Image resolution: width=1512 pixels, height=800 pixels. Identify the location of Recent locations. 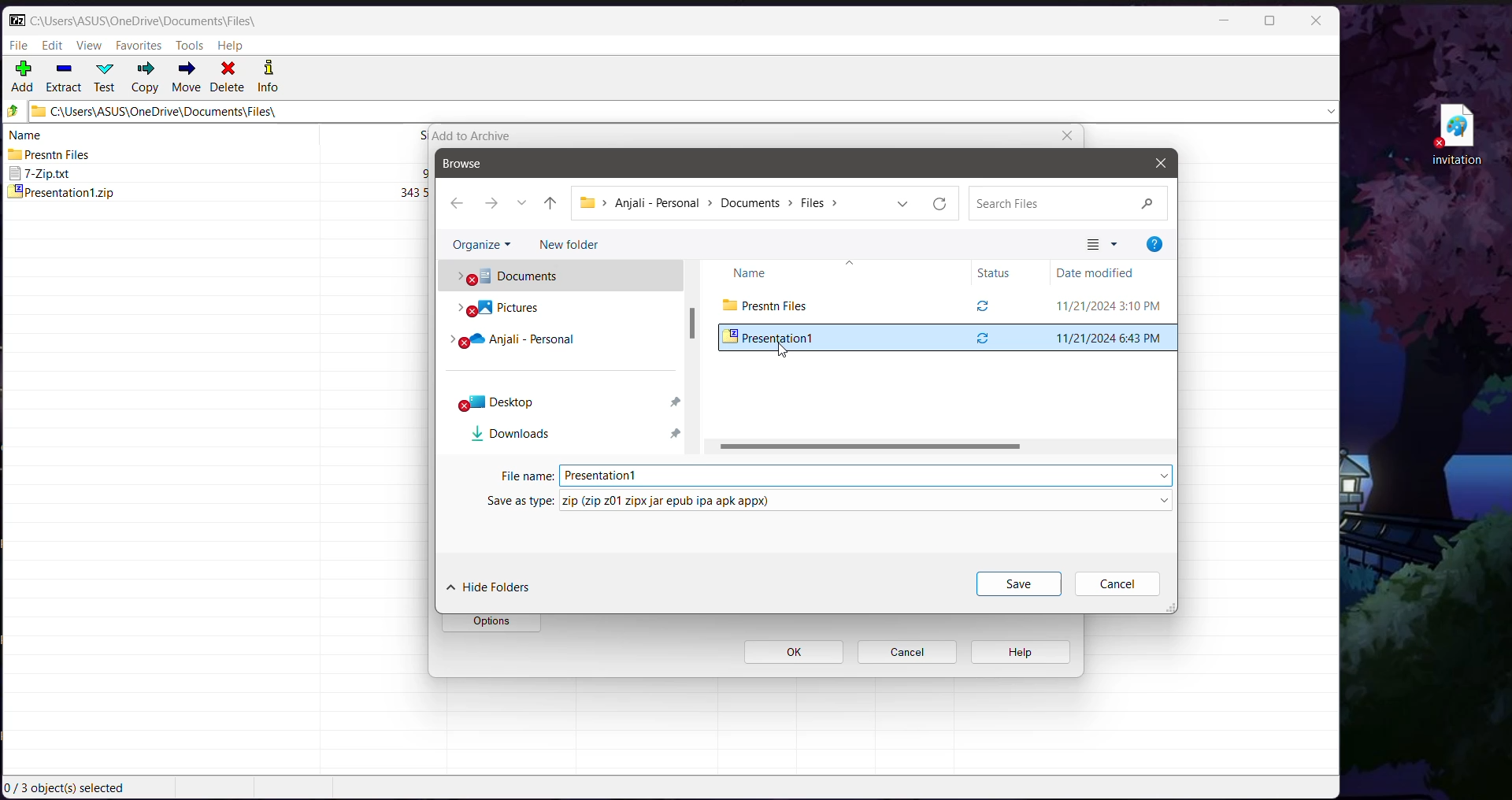
(521, 204).